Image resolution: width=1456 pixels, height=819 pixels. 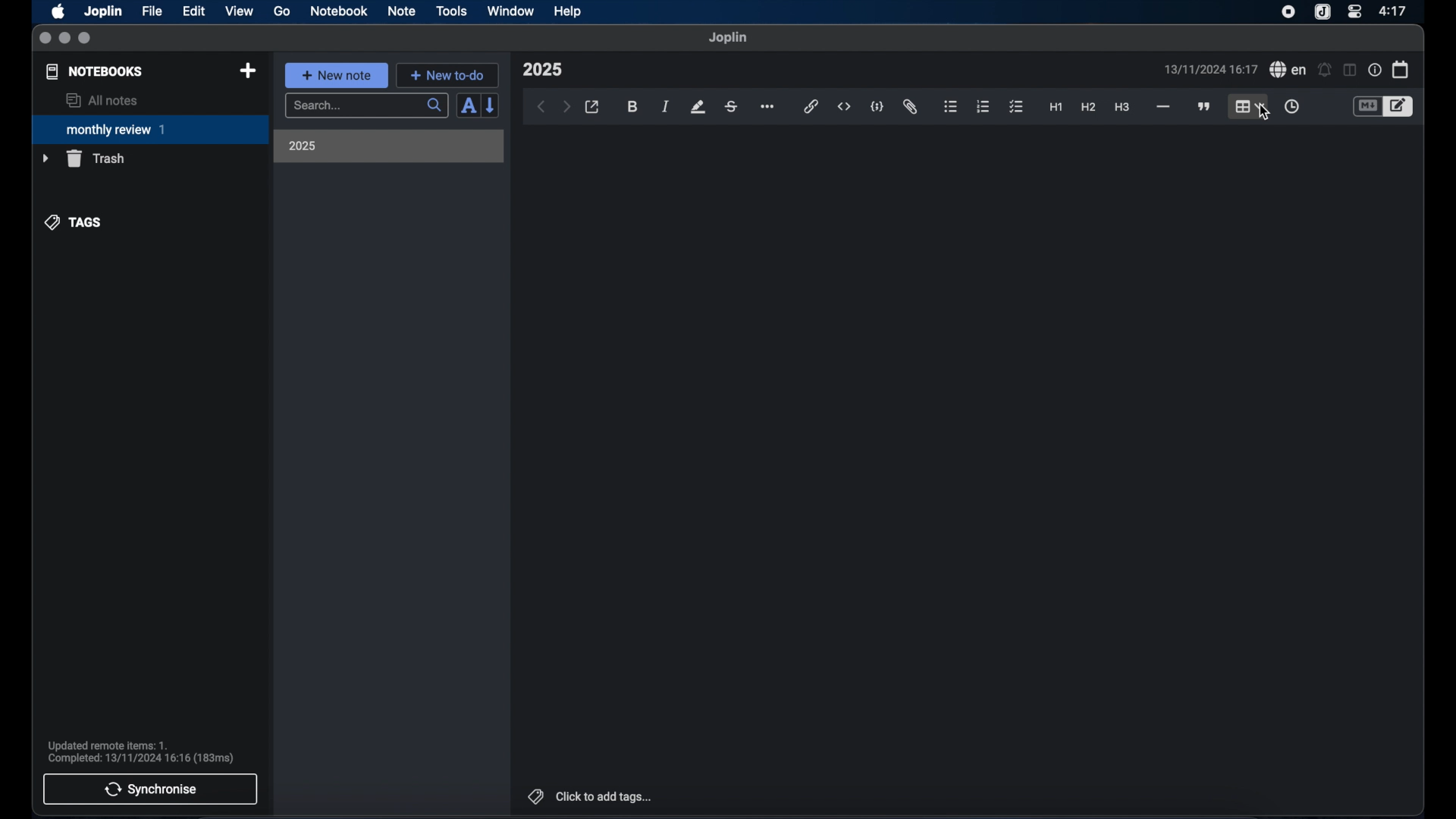 What do you see at coordinates (1016, 108) in the screenshot?
I see `check  list` at bounding box center [1016, 108].